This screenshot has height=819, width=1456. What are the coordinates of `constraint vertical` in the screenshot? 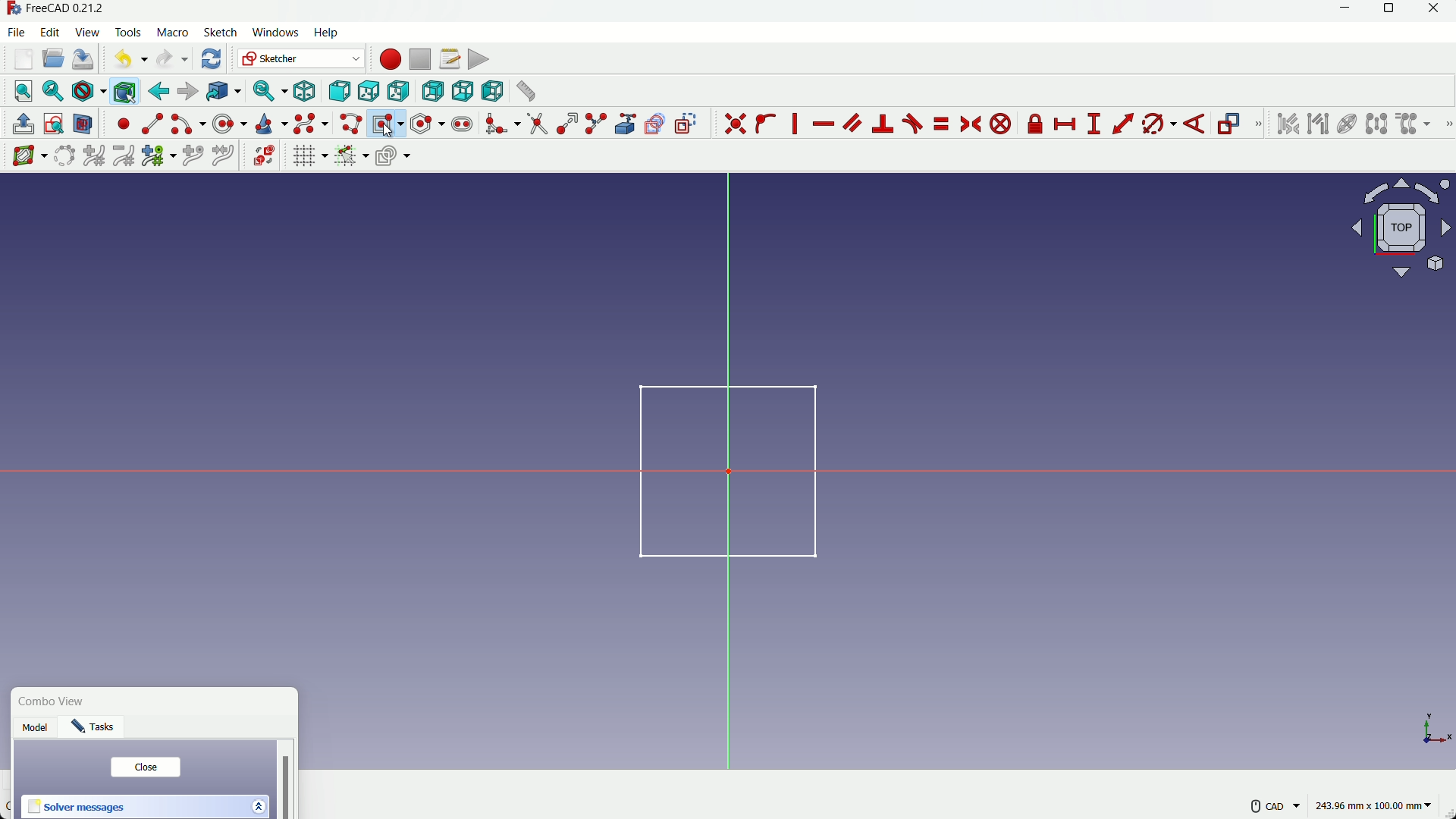 It's located at (798, 124).